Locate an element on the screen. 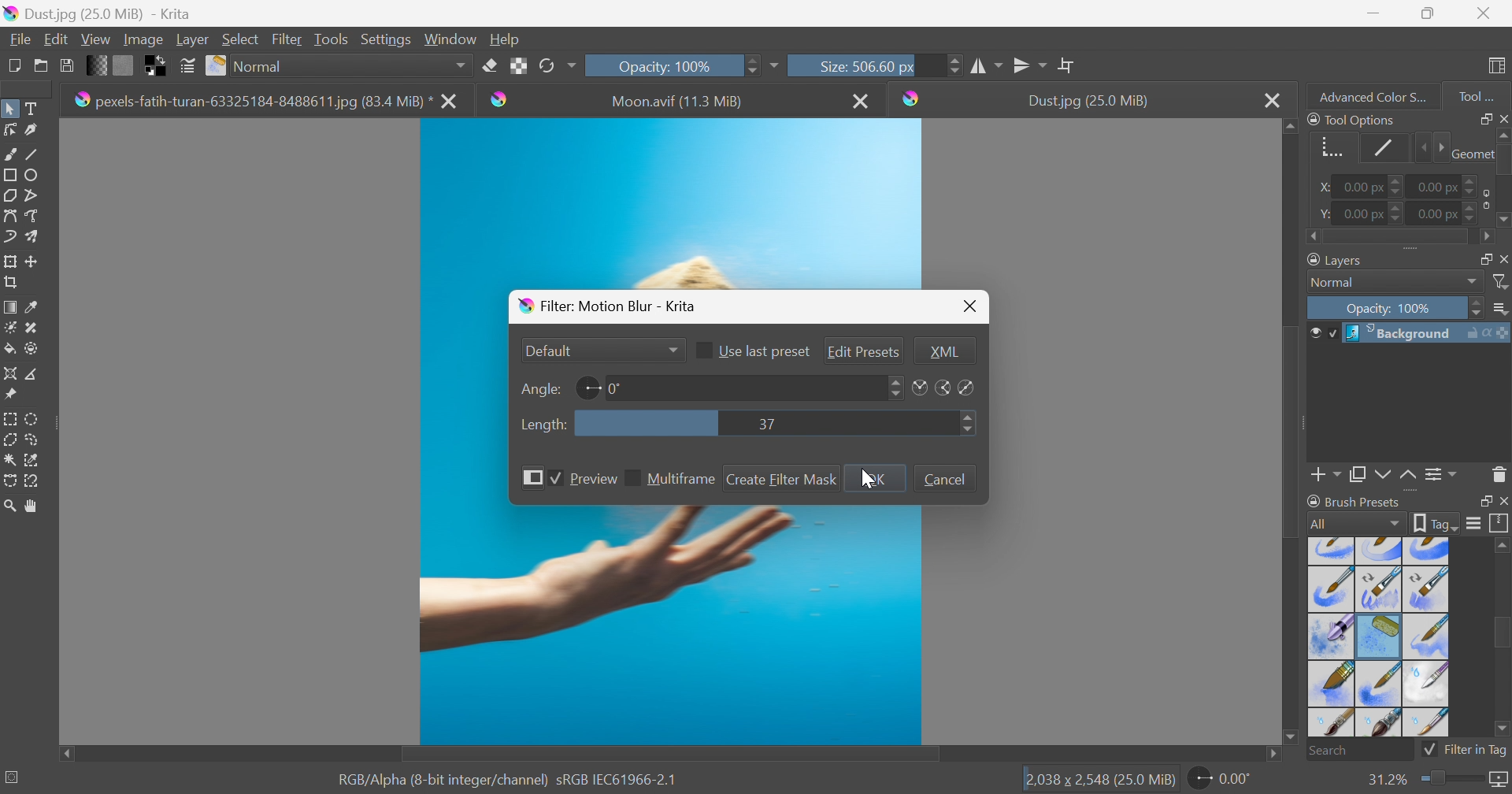 This screenshot has width=1512, height=794. Fill gradients is located at coordinates (98, 64).